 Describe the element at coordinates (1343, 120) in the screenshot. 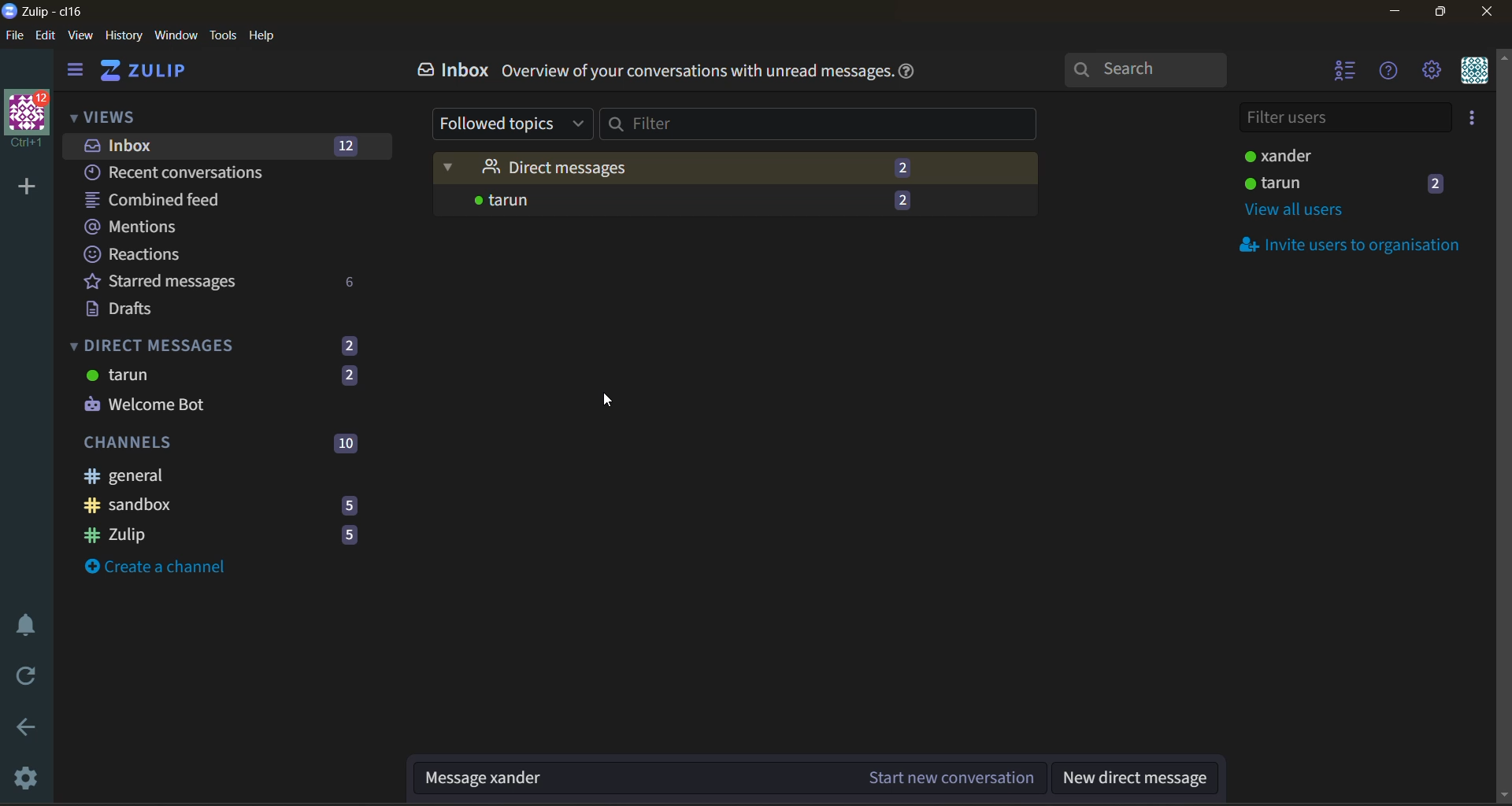

I see `filter users` at that location.